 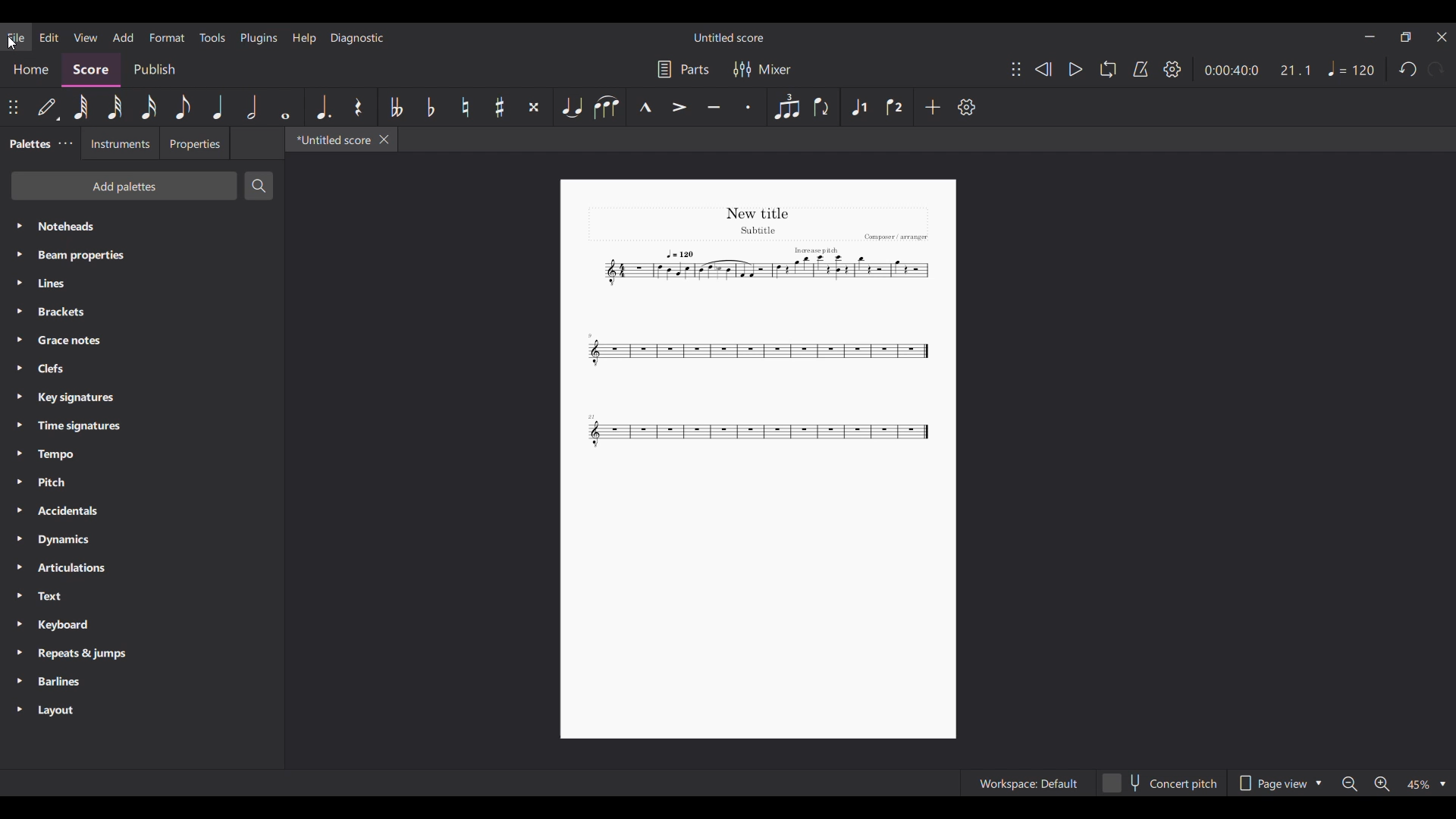 What do you see at coordinates (143, 256) in the screenshot?
I see `Beam properties` at bounding box center [143, 256].